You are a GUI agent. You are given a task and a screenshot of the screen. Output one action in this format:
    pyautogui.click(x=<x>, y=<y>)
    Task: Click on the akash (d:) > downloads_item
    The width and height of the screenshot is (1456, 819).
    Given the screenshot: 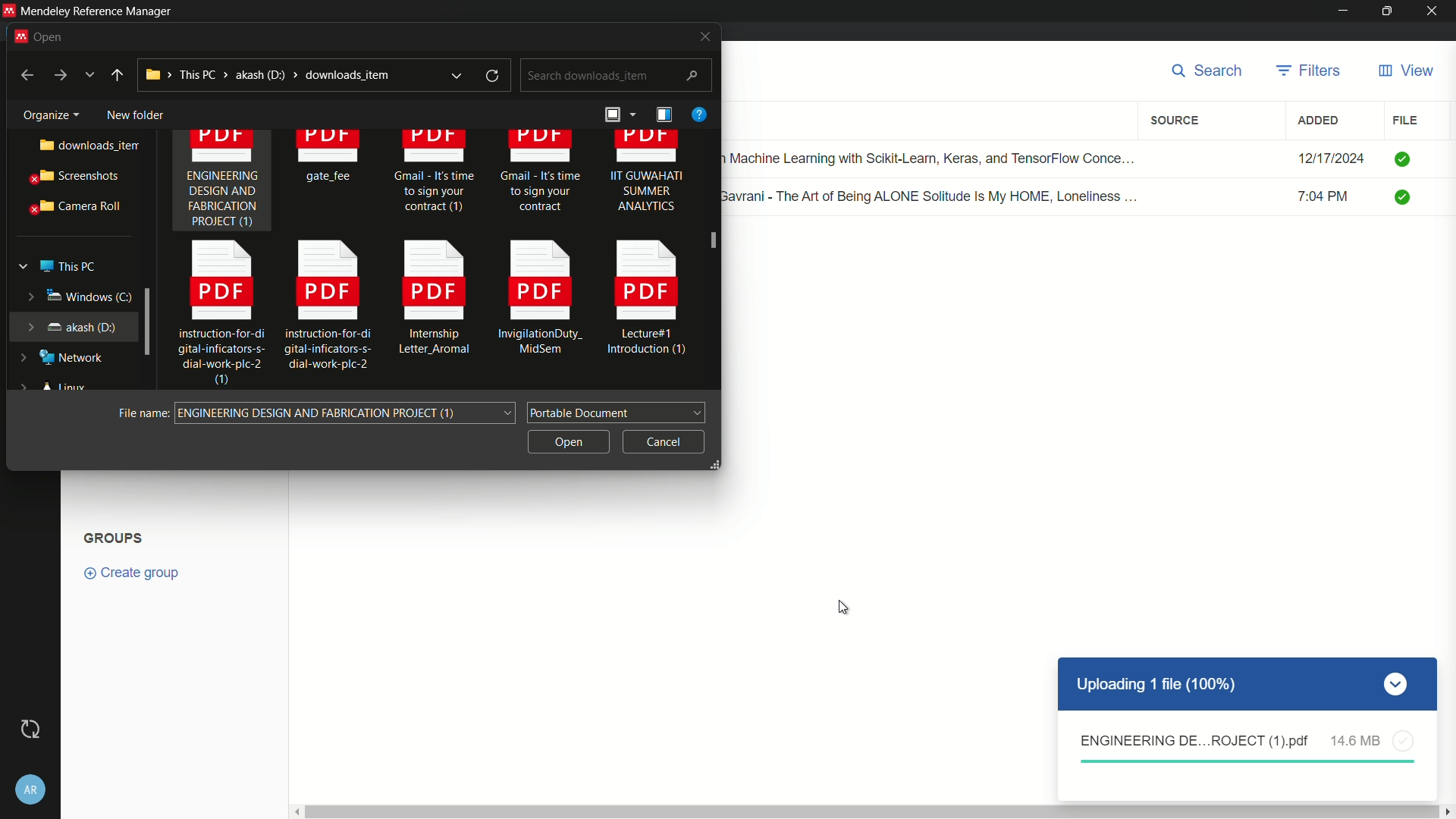 What is the action you would take?
    pyautogui.click(x=277, y=74)
    